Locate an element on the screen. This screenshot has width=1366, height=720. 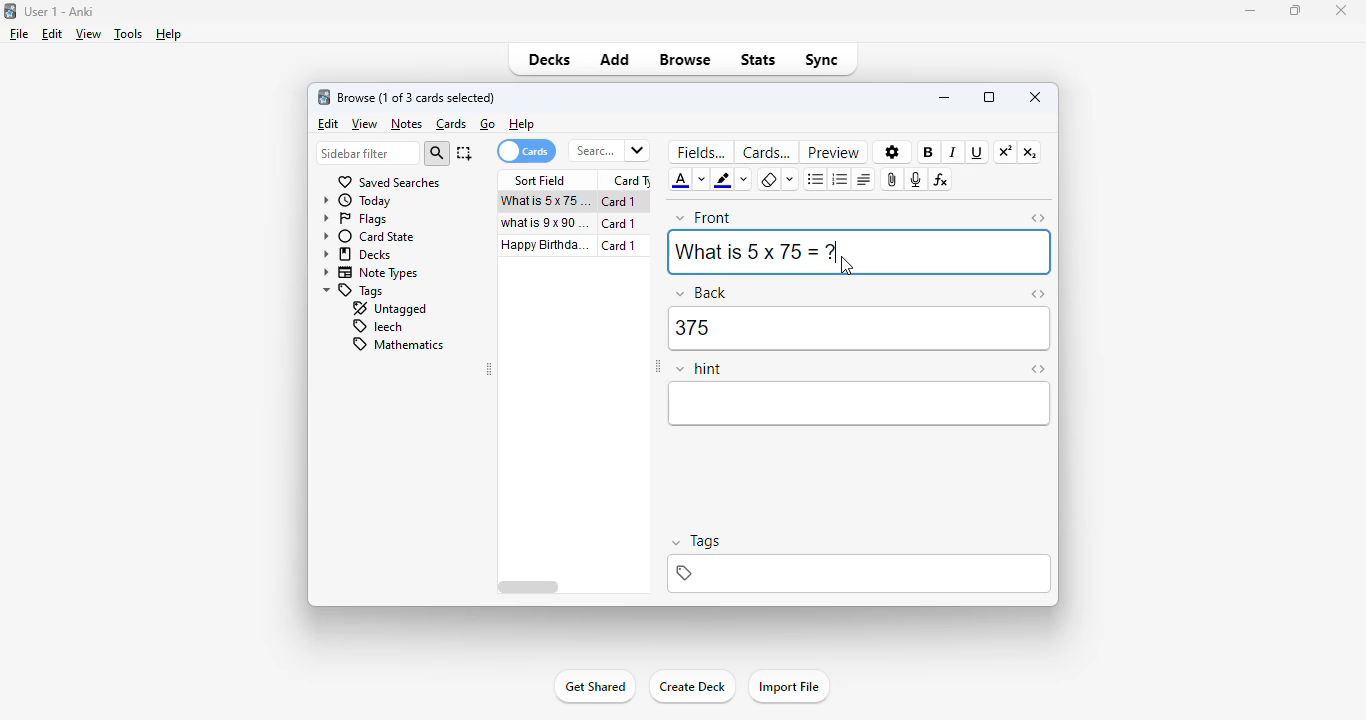
hint is located at coordinates (699, 370).